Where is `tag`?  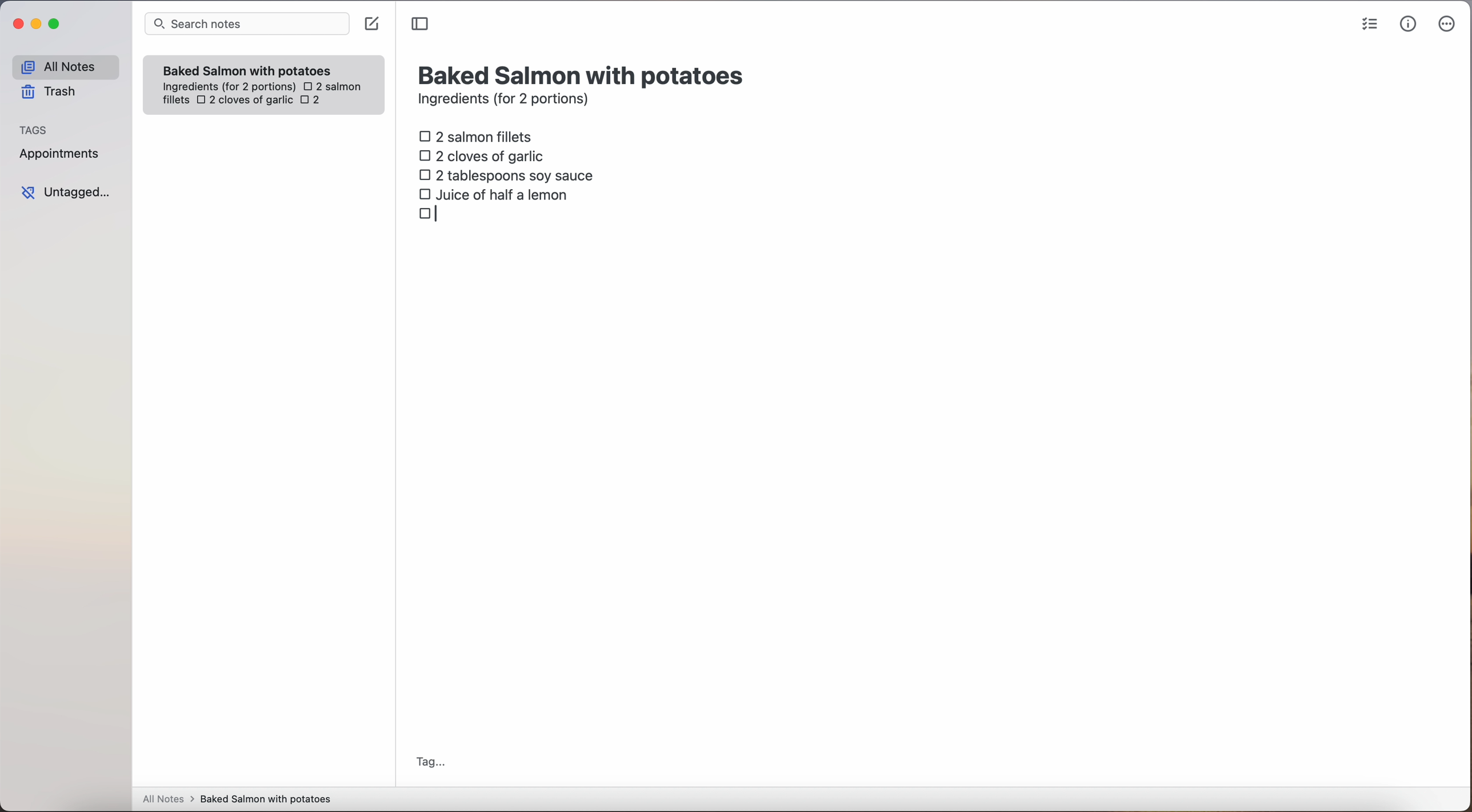
tag is located at coordinates (430, 763).